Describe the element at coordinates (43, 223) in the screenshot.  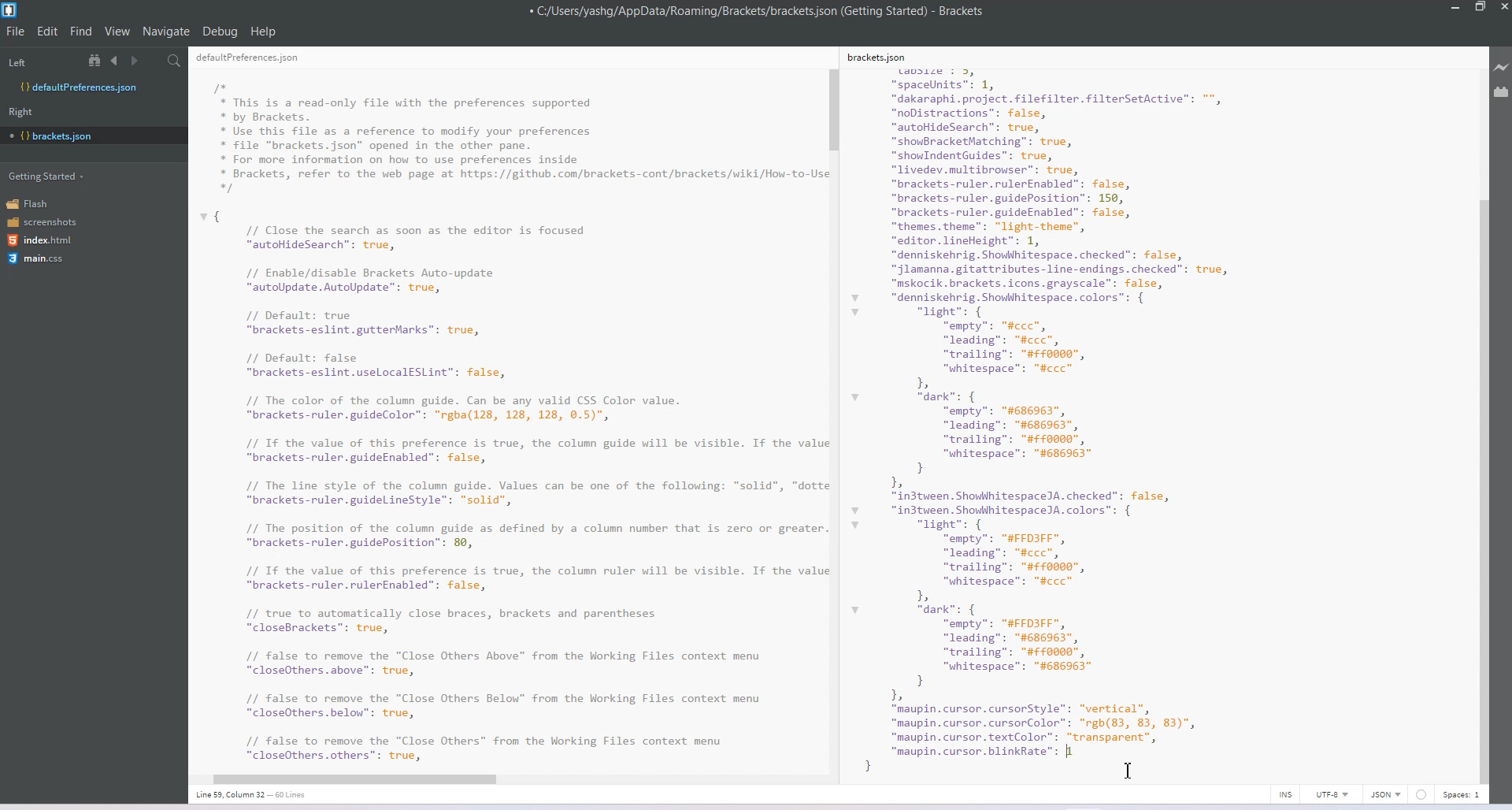
I see `screenshots` at that location.